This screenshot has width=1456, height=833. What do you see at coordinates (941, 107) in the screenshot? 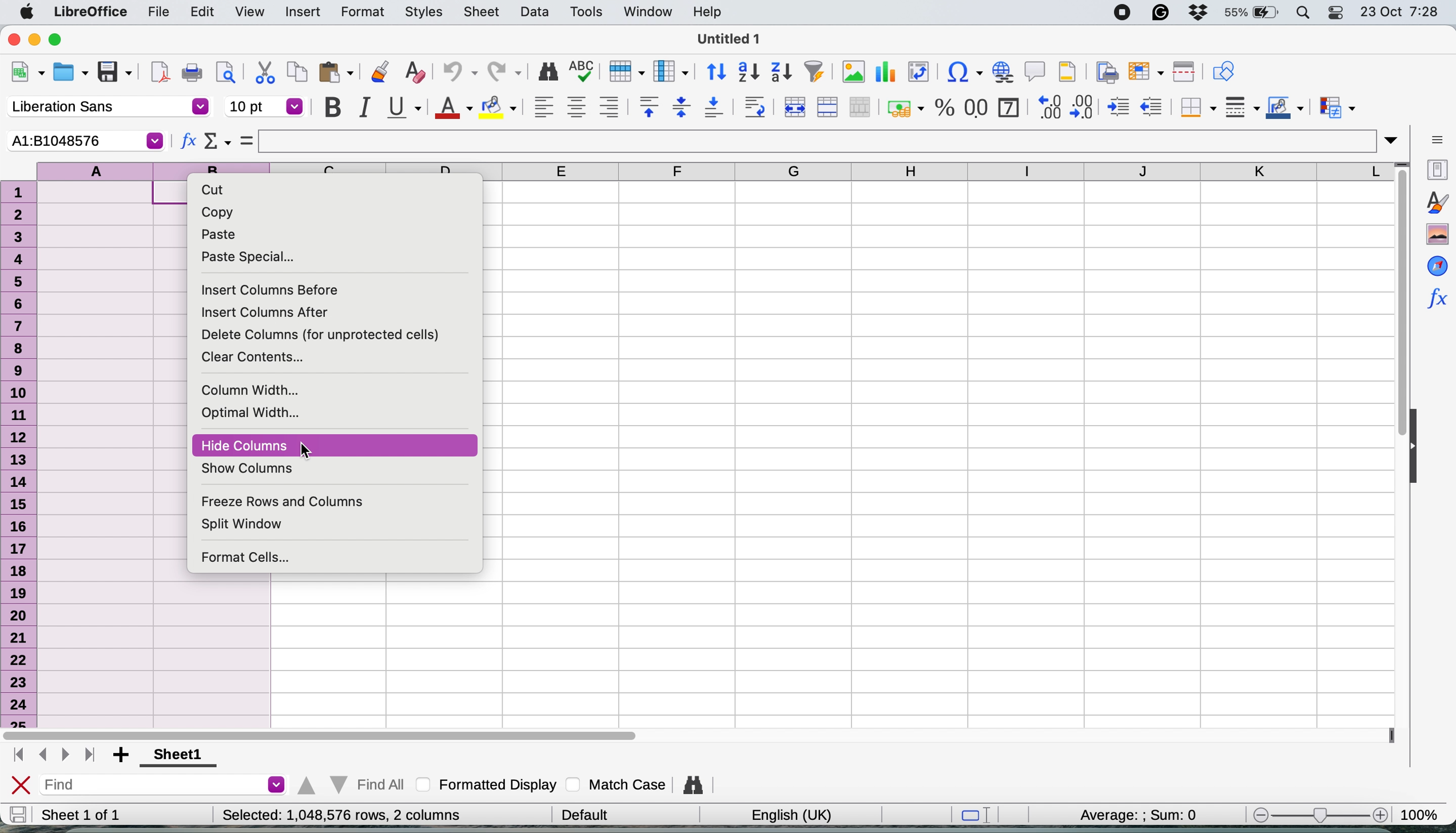
I see `format as percentage` at bounding box center [941, 107].